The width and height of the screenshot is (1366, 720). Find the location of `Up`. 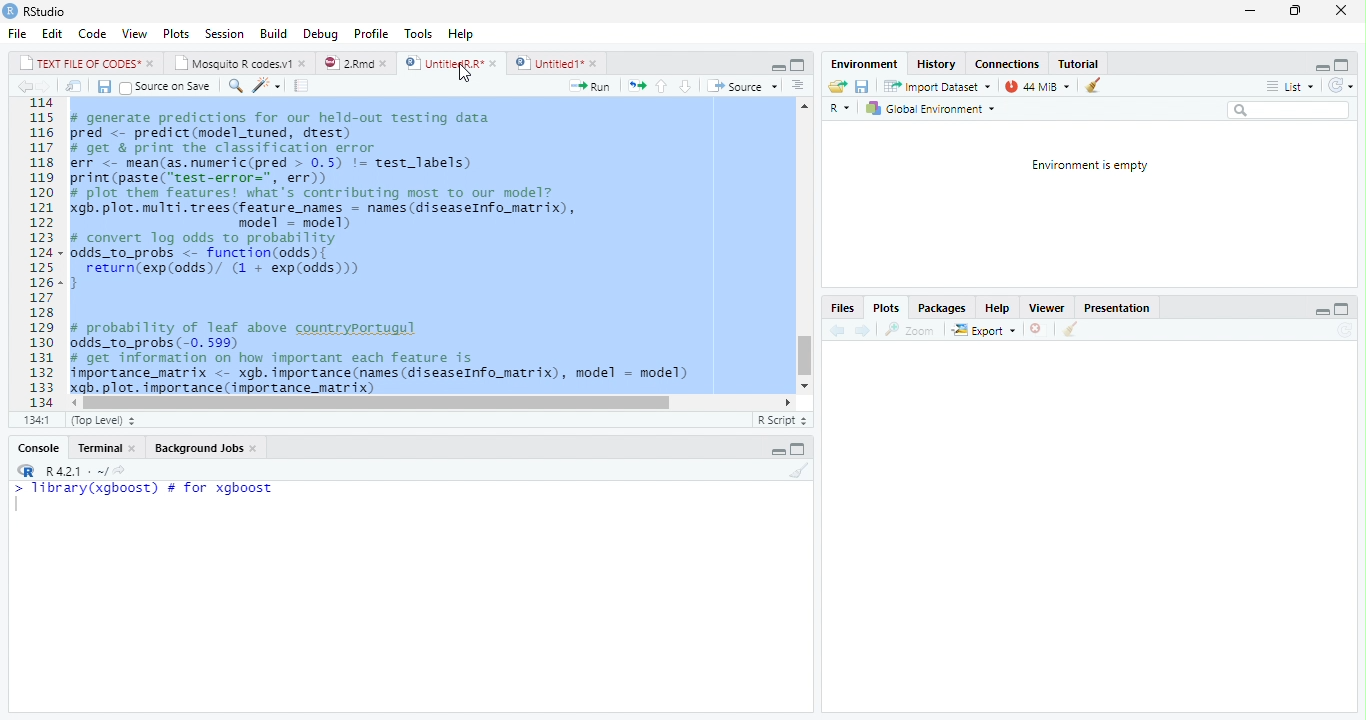

Up is located at coordinates (660, 86).